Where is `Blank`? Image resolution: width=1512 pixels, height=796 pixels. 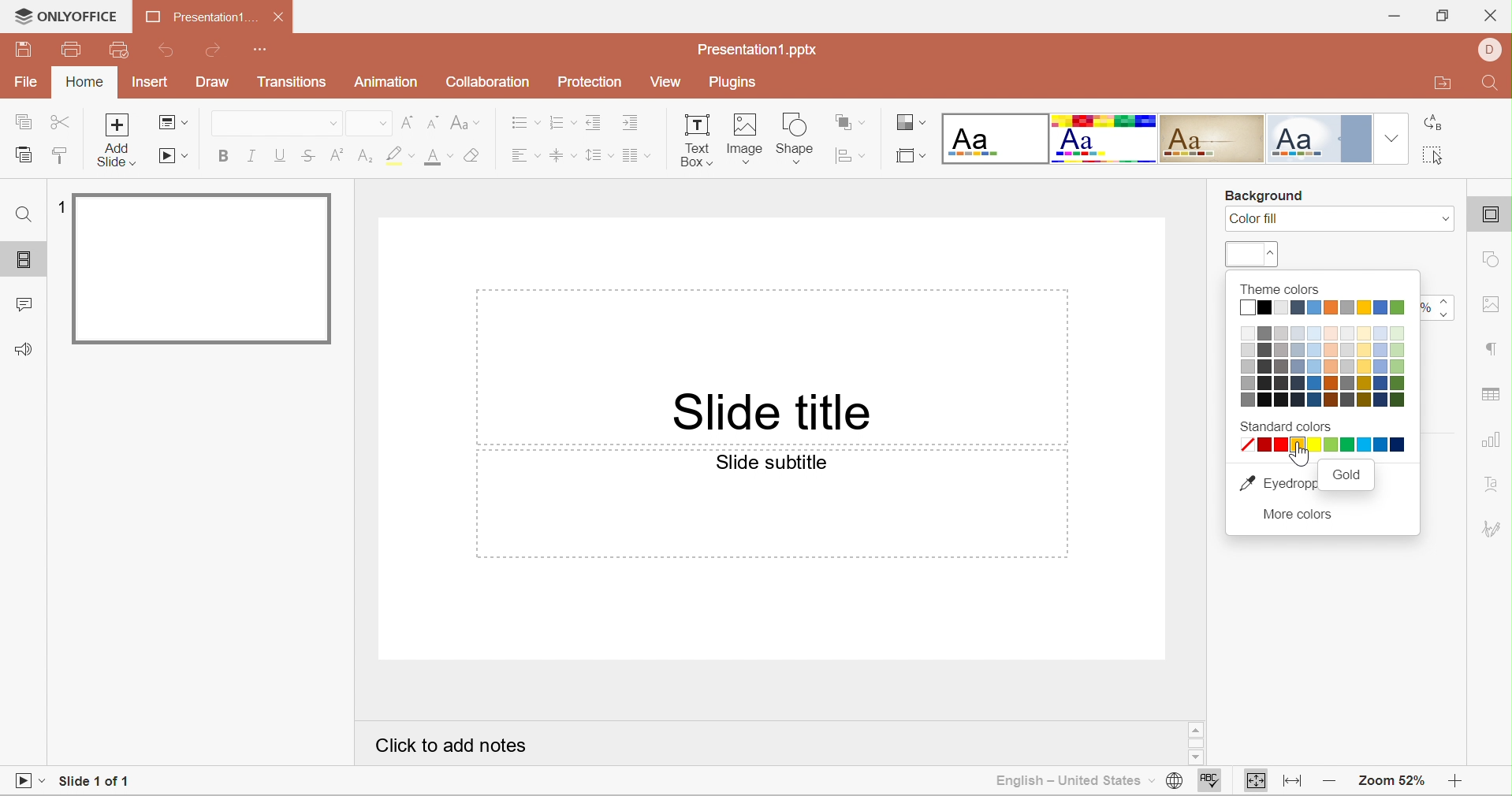
Blank is located at coordinates (995, 138).